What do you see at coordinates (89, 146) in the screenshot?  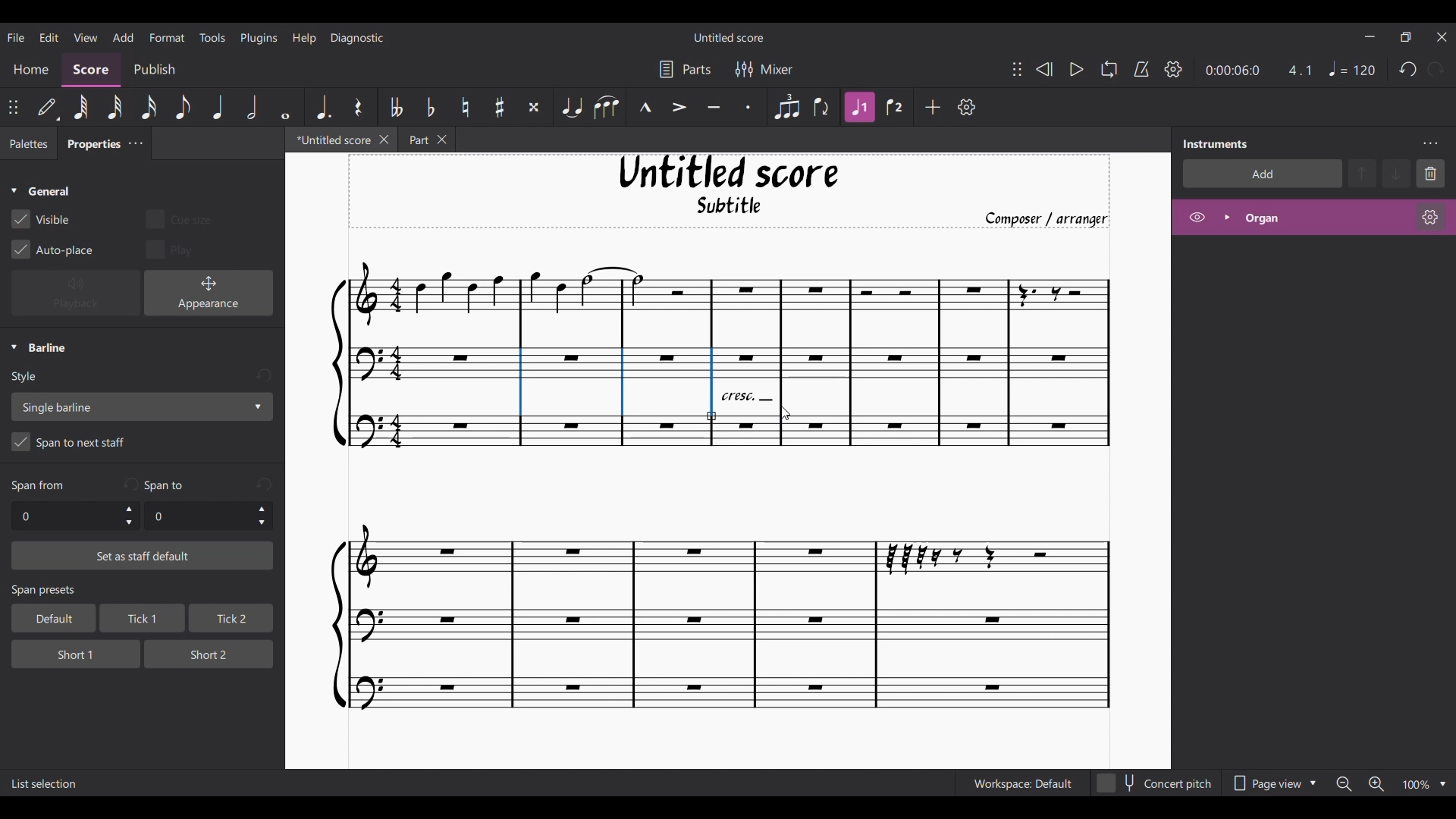 I see `Properties tab, current selection` at bounding box center [89, 146].